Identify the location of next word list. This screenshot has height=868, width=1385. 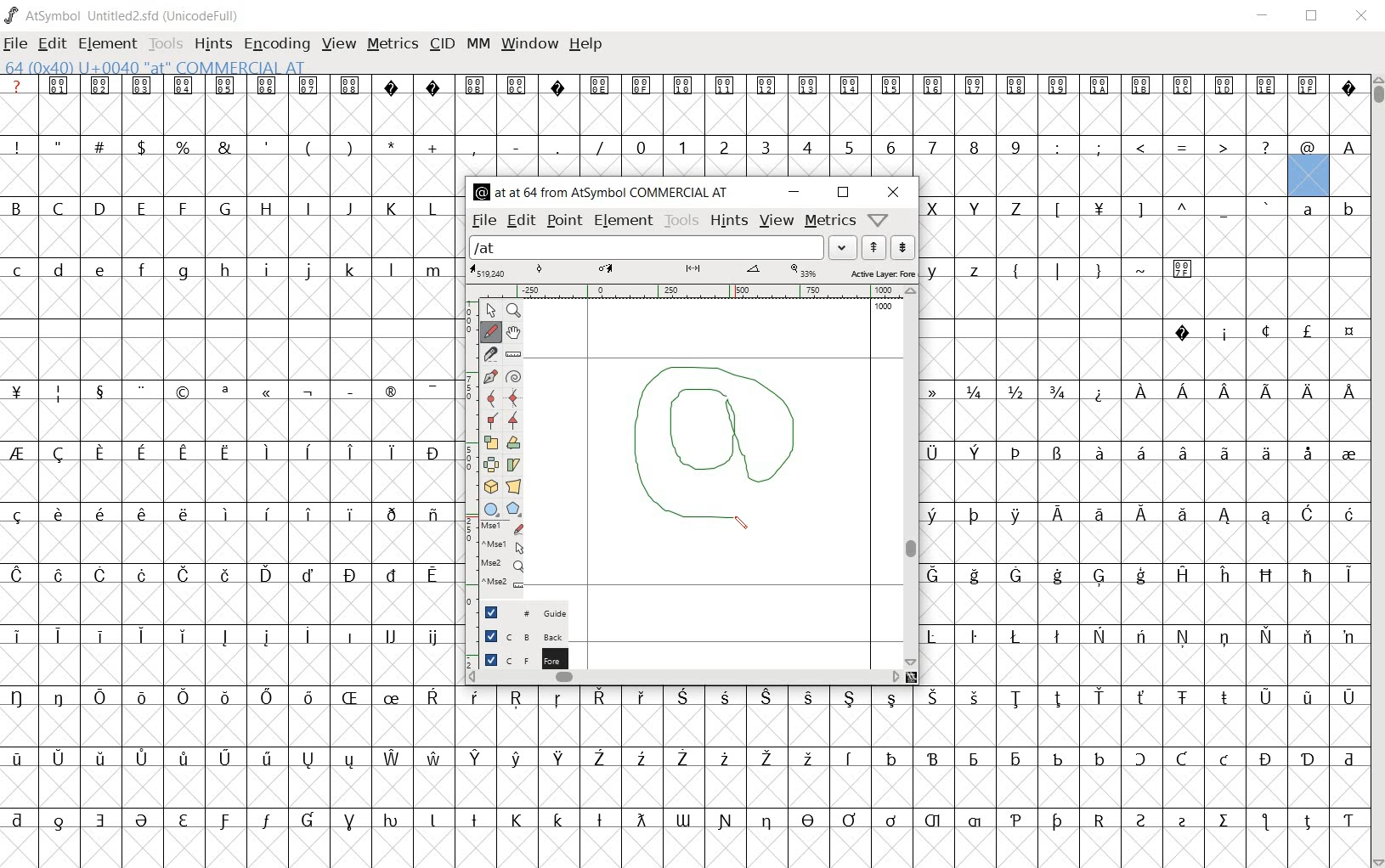
(904, 247).